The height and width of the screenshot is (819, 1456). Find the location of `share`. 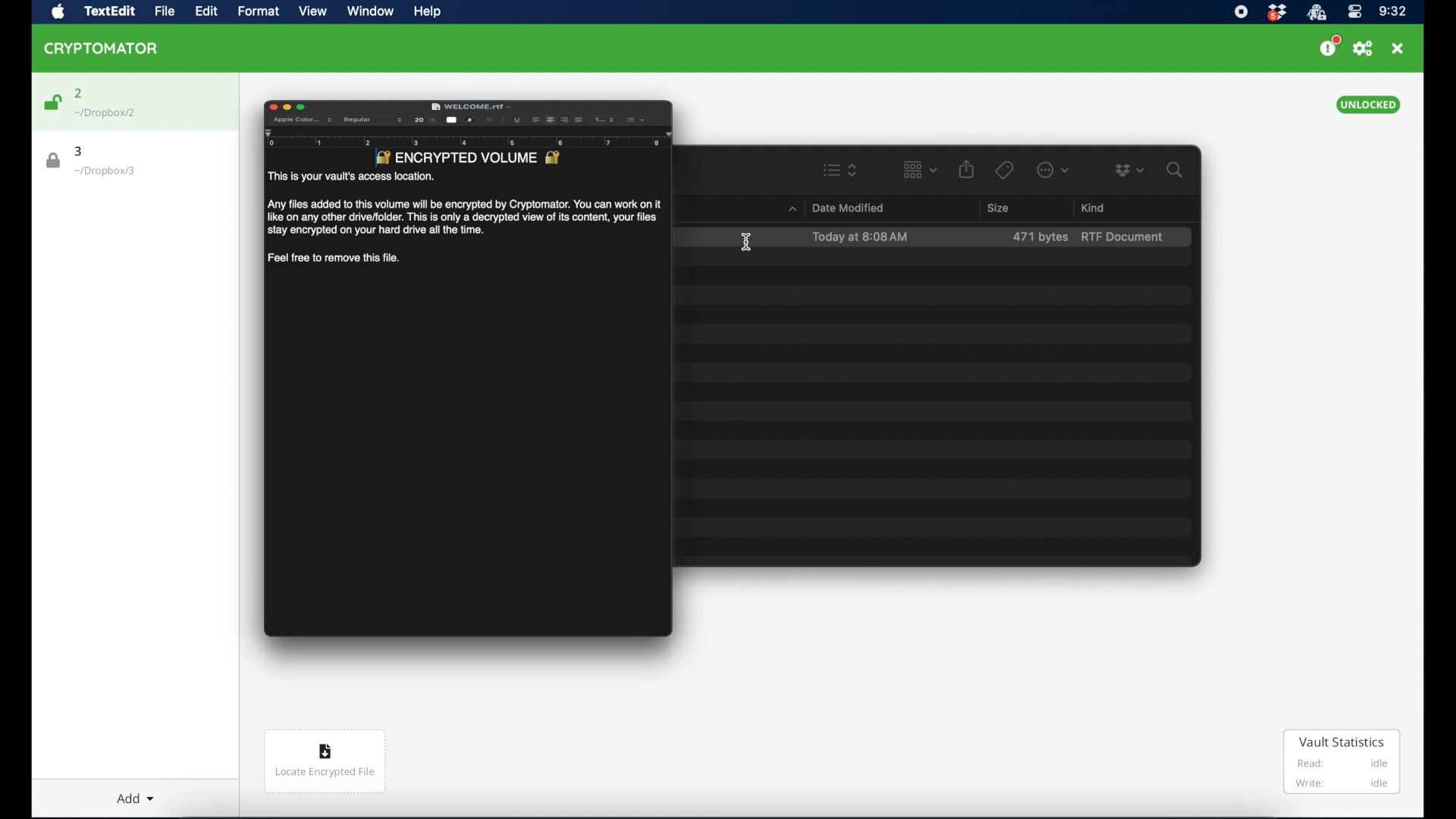

share is located at coordinates (966, 170).